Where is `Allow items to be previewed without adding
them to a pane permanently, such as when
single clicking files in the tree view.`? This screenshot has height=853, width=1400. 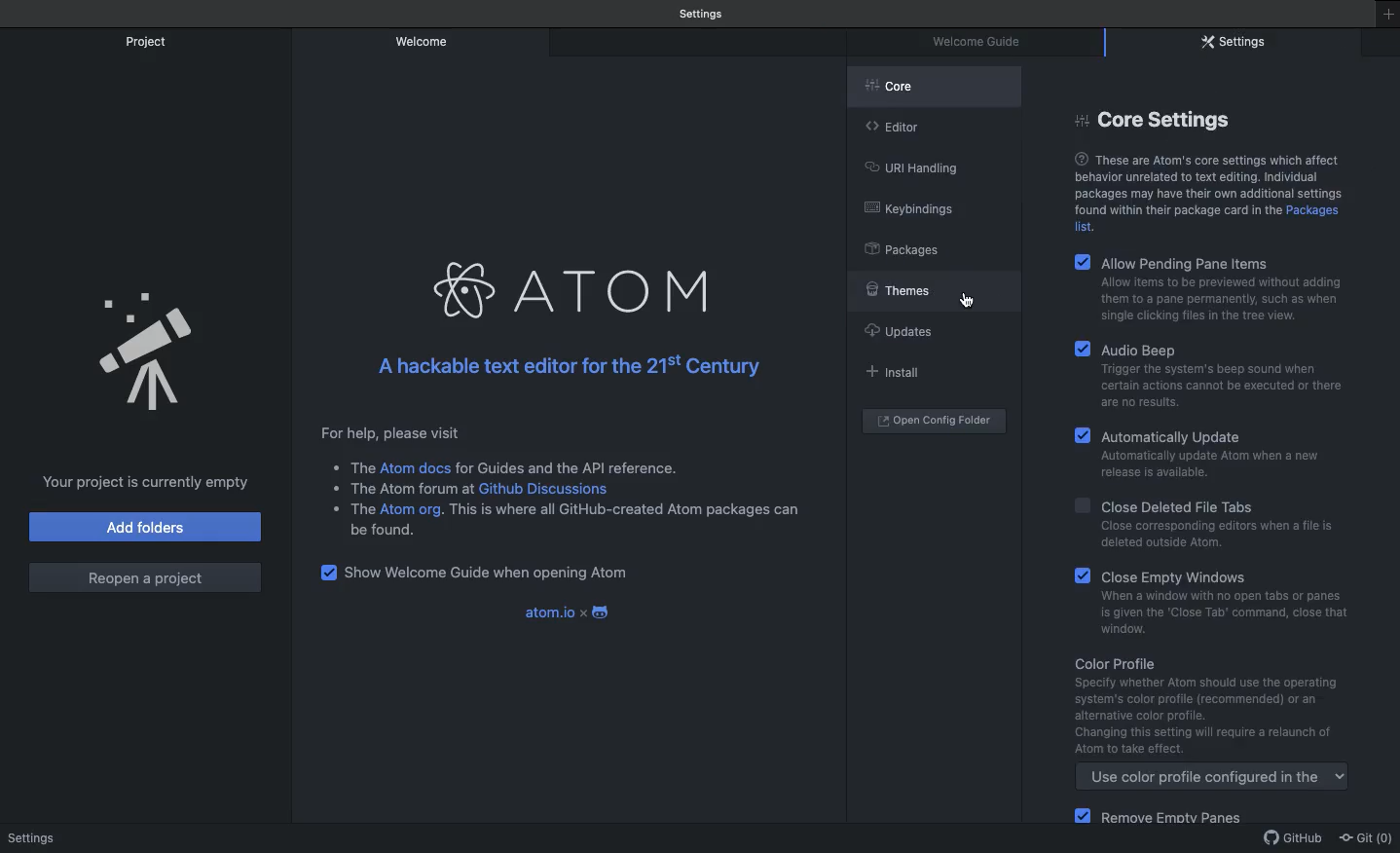
Allow items to be previewed without adding
them to a pane permanently, such as when
single clicking files in the tree view. is located at coordinates (1205, 302).